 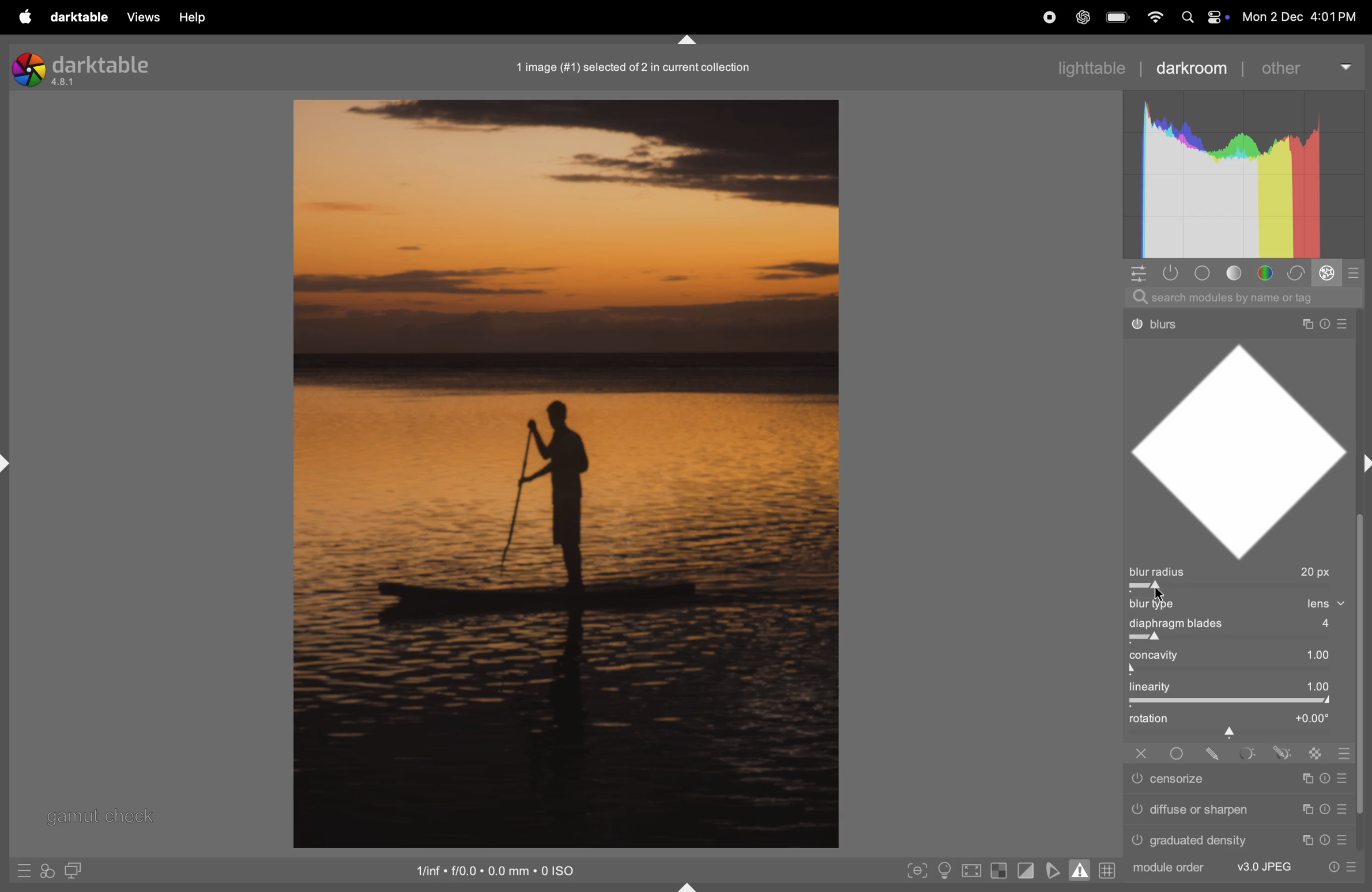 I want to click on shape, so click(x=1245, y=448).